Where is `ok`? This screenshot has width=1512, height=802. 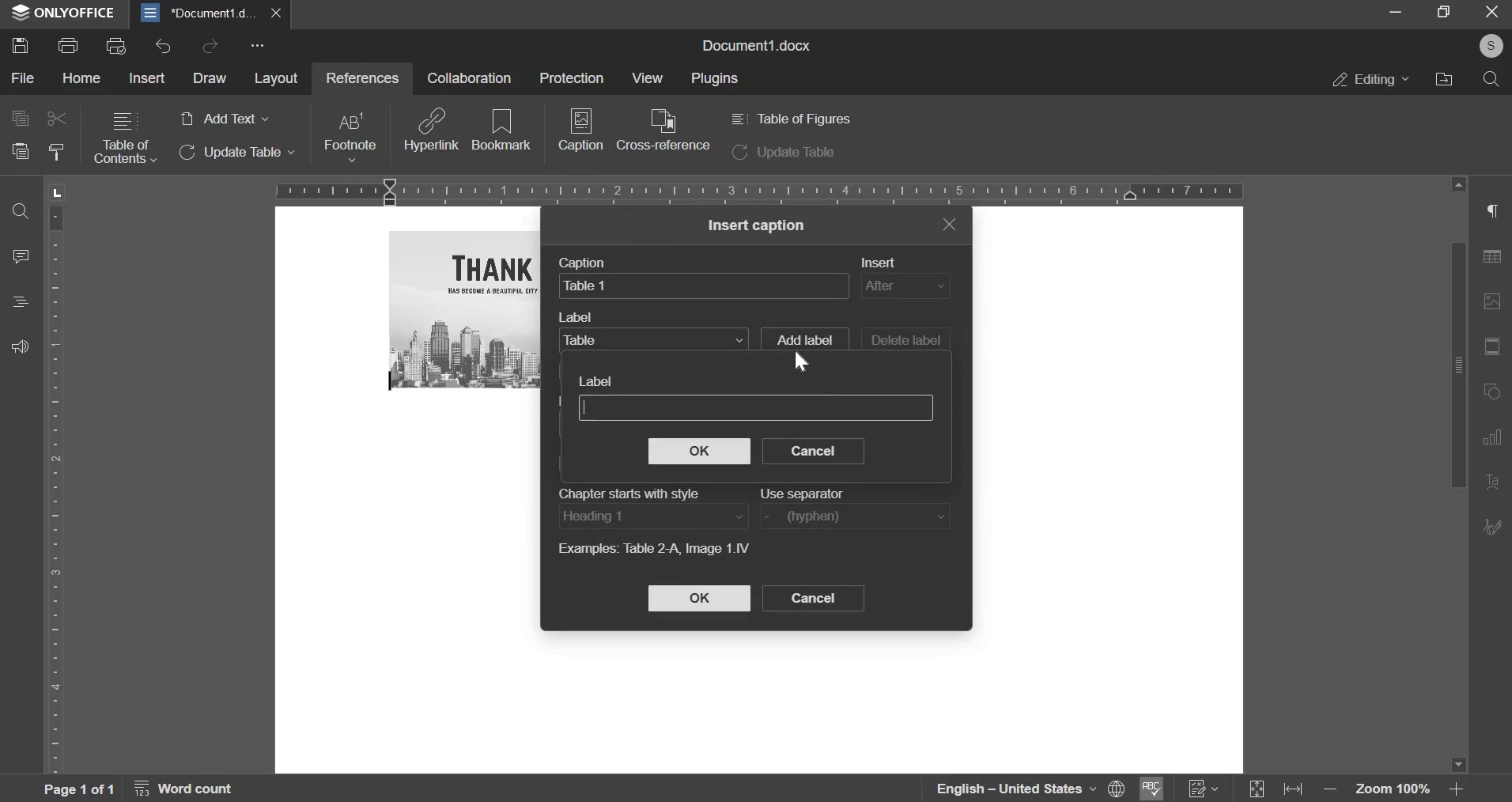 ok is located at coordinates (701, 450).